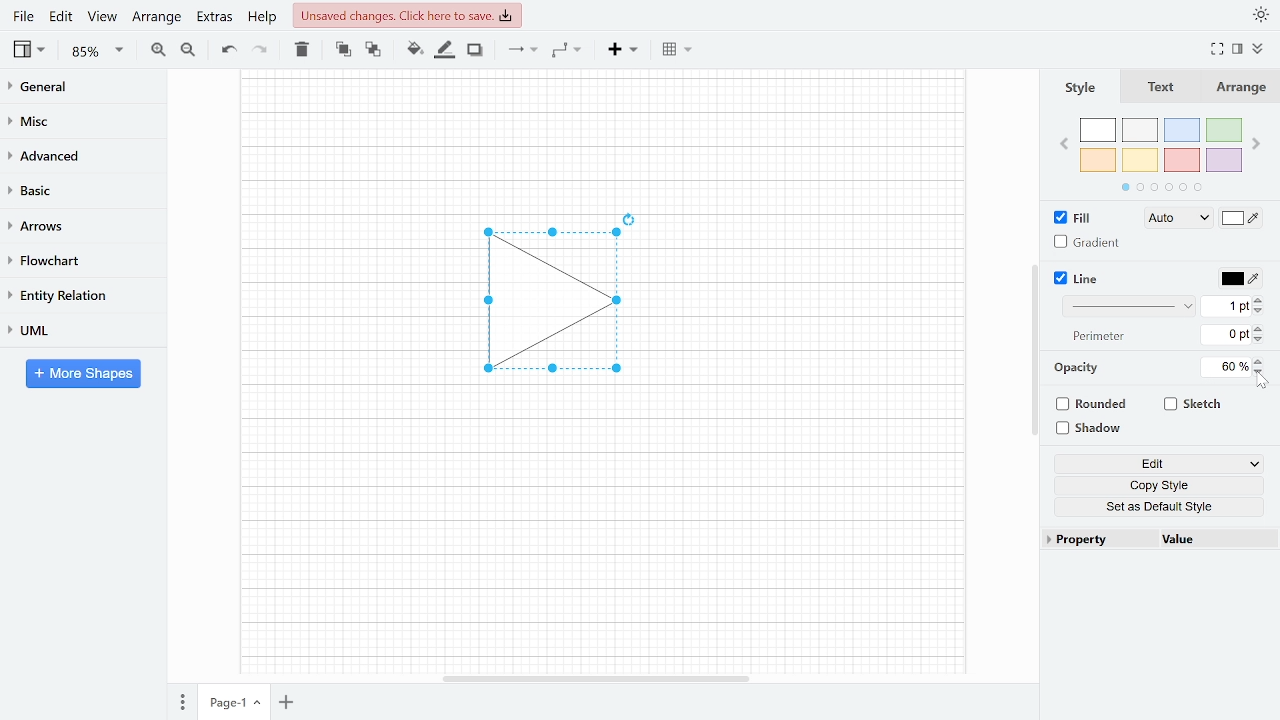  I want to click on Edit, so click(62, 16).